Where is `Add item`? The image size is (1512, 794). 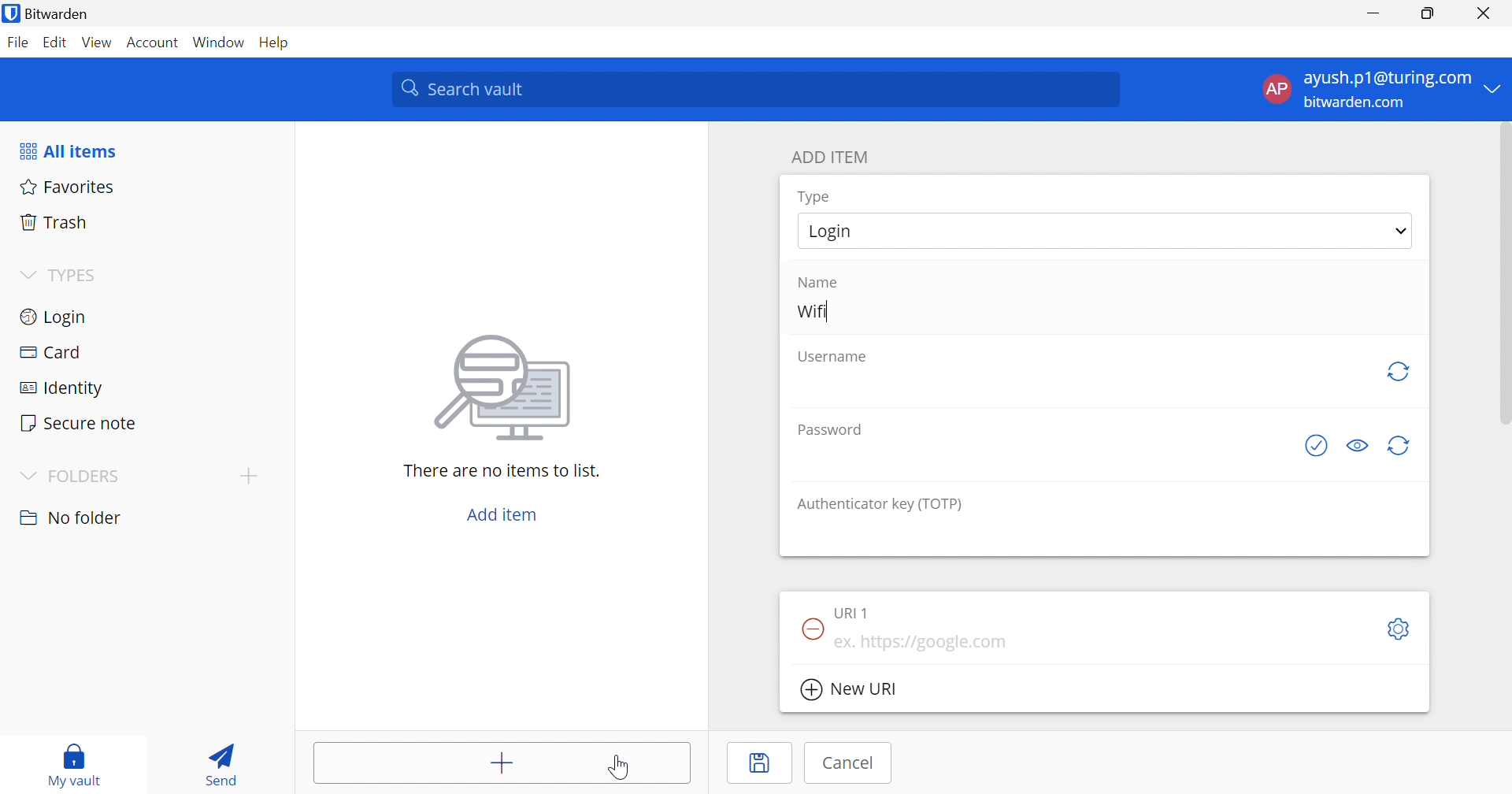 Add item is located at coordinates (502, 514).